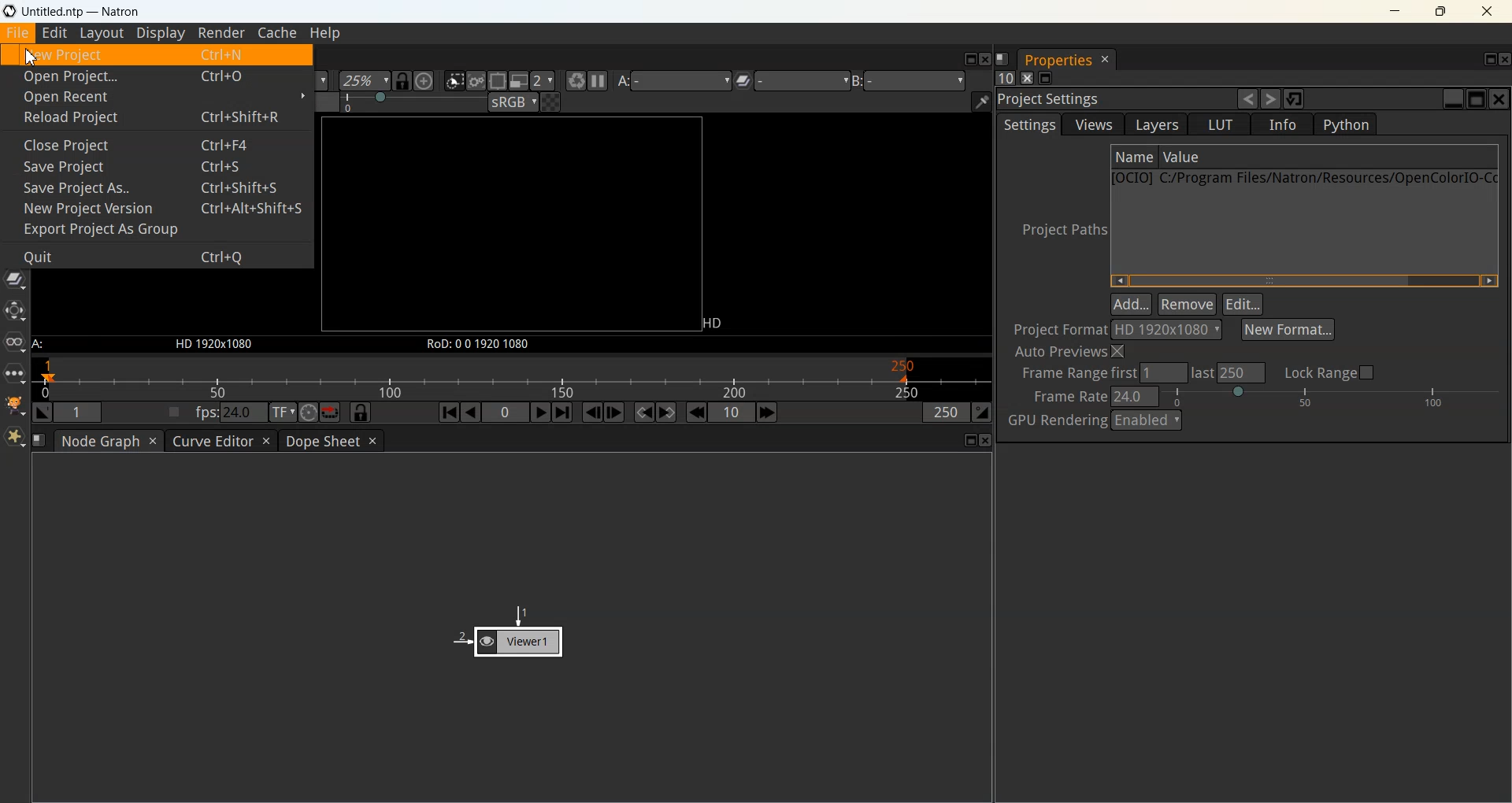  I want to click on Manually adjust frame rate, so click(1331, 396).